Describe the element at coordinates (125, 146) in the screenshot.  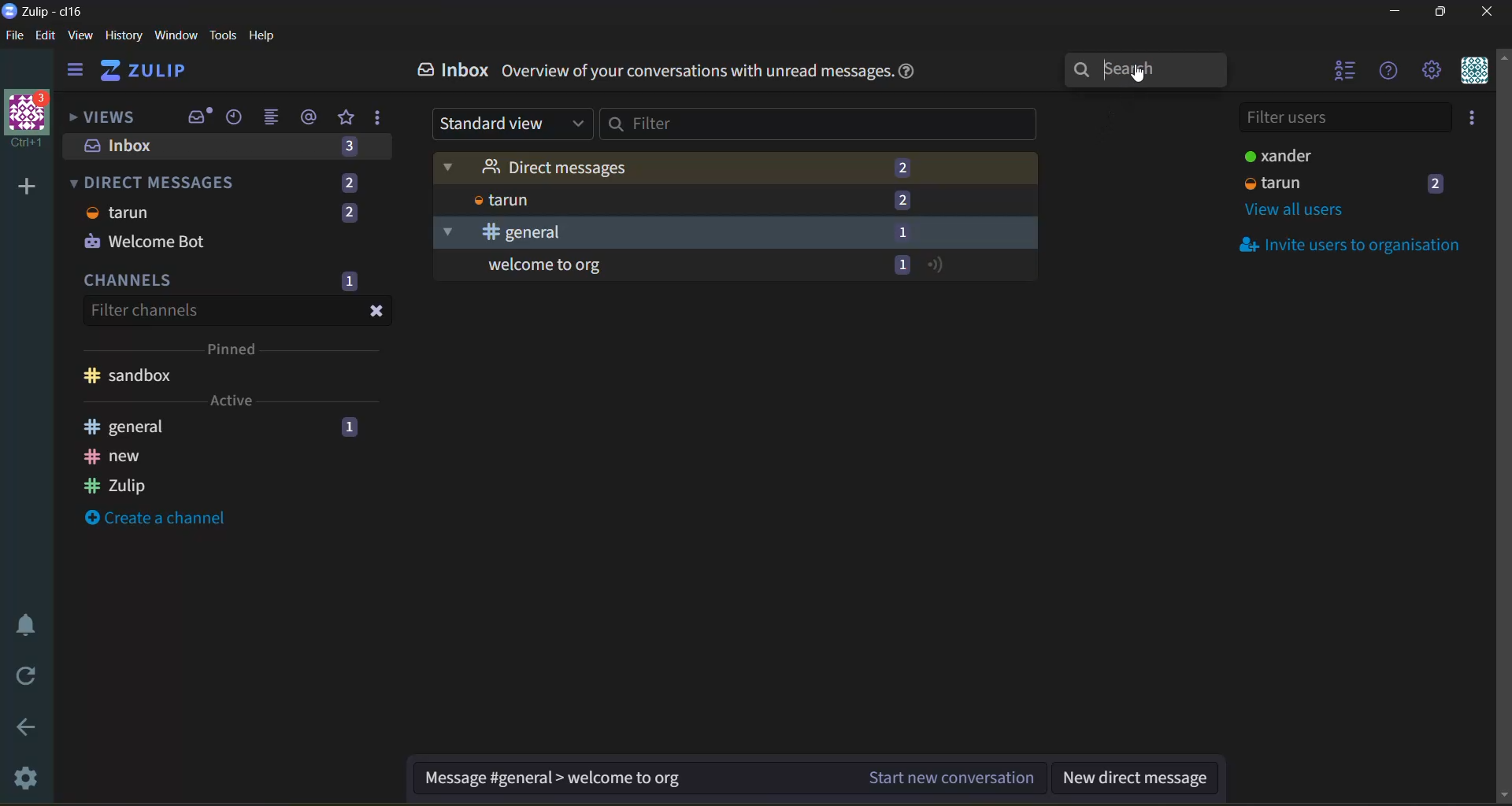
I see `inbox` at that location.